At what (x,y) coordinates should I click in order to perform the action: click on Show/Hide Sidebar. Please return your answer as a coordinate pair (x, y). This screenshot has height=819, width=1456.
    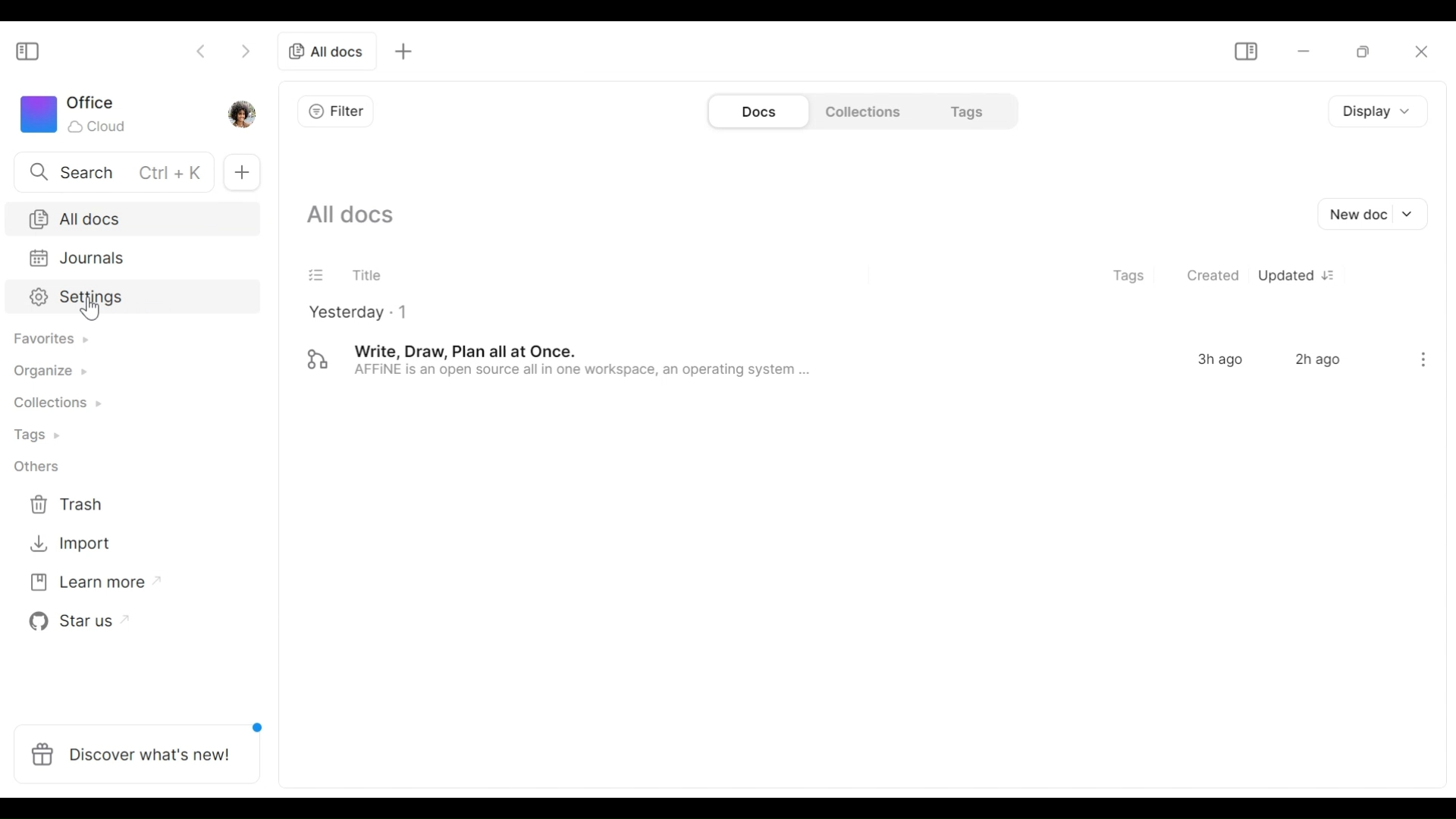
    Looking at the image, I should click on (1245, 51).